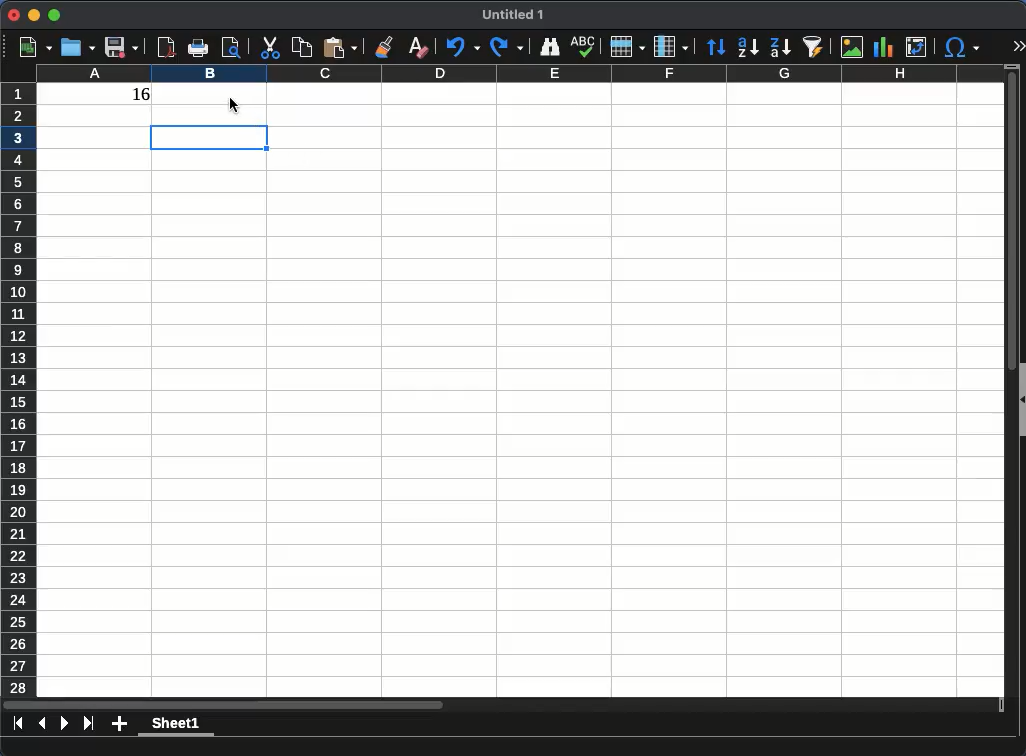 This screenshot has width=1026, height=756. Describe the element at coordinates (42, 724) in the screenshot. I see `previous sheet` at that location.